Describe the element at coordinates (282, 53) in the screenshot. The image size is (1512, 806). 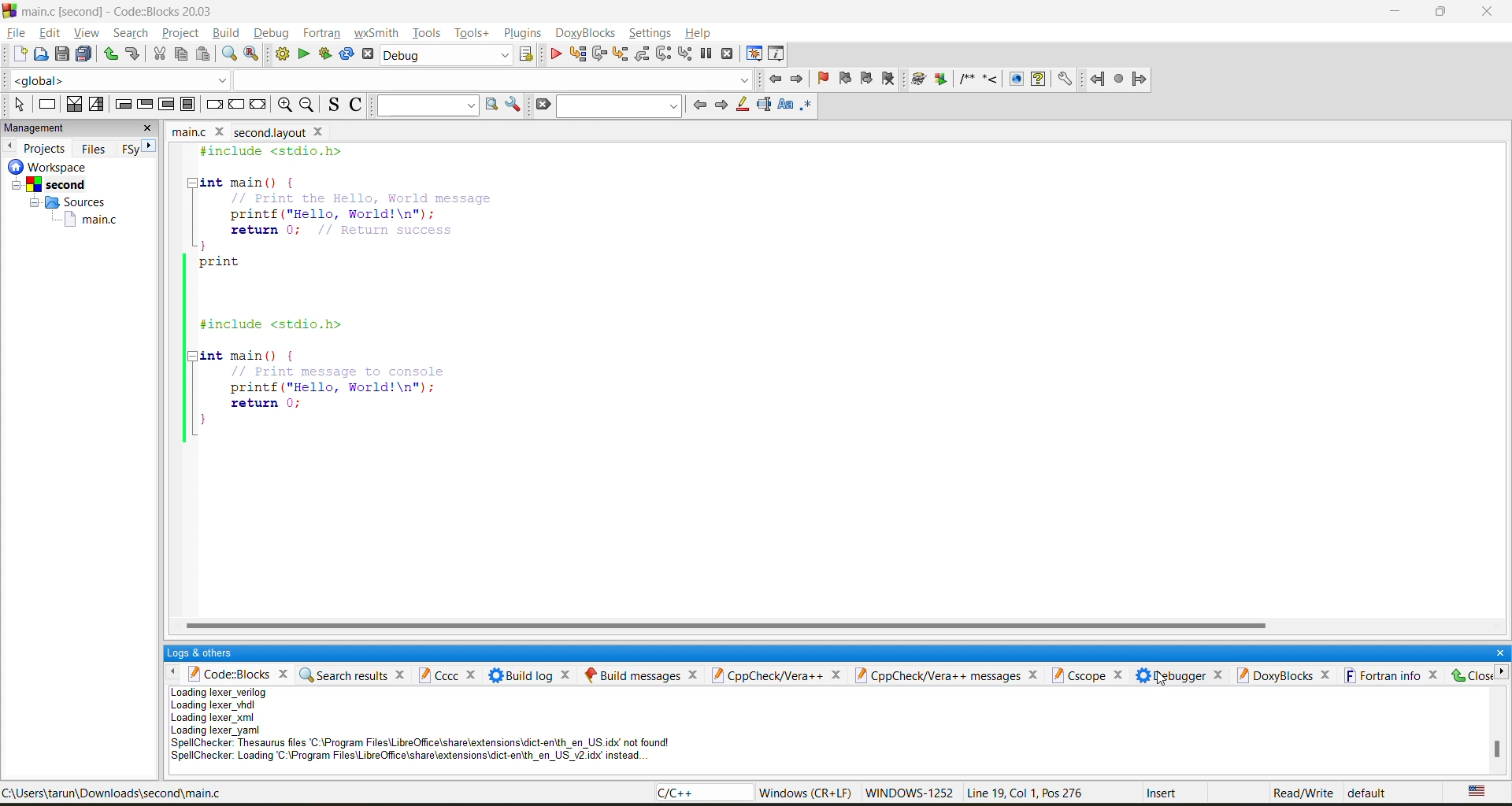
I see `build` at that location.